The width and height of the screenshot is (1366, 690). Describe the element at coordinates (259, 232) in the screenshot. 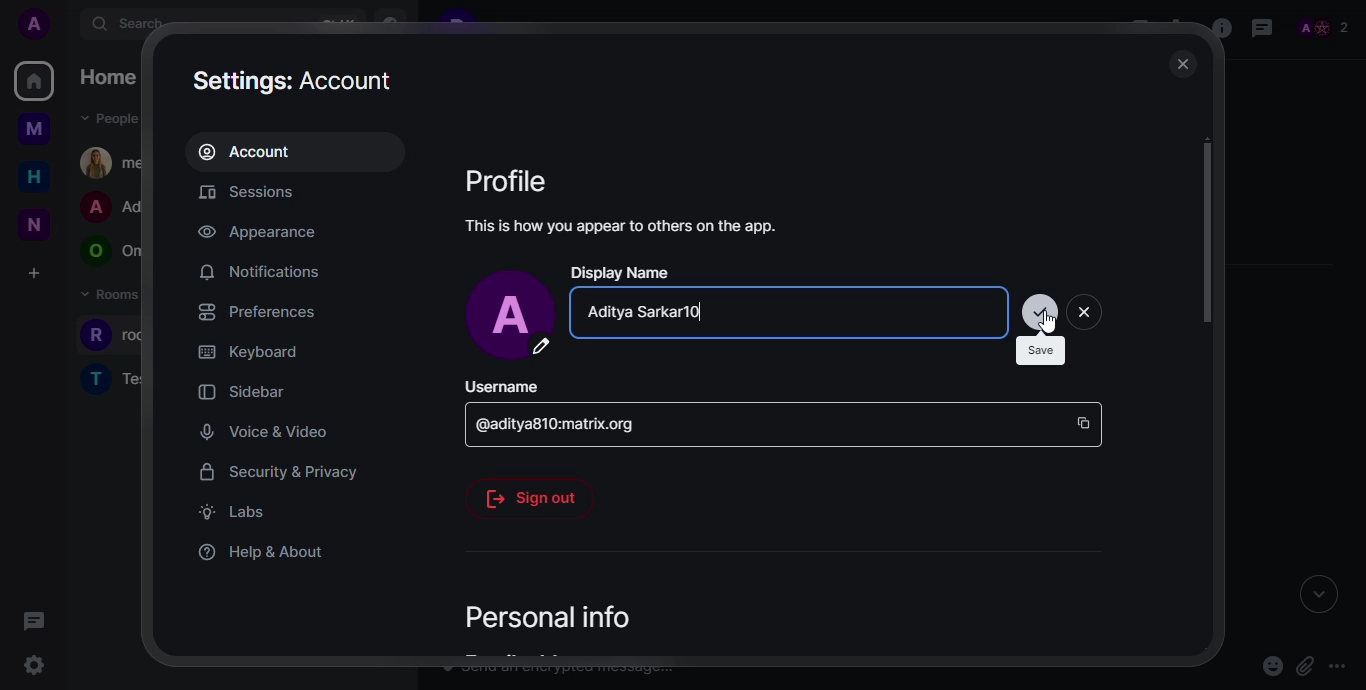

I see `appearance` at that location.